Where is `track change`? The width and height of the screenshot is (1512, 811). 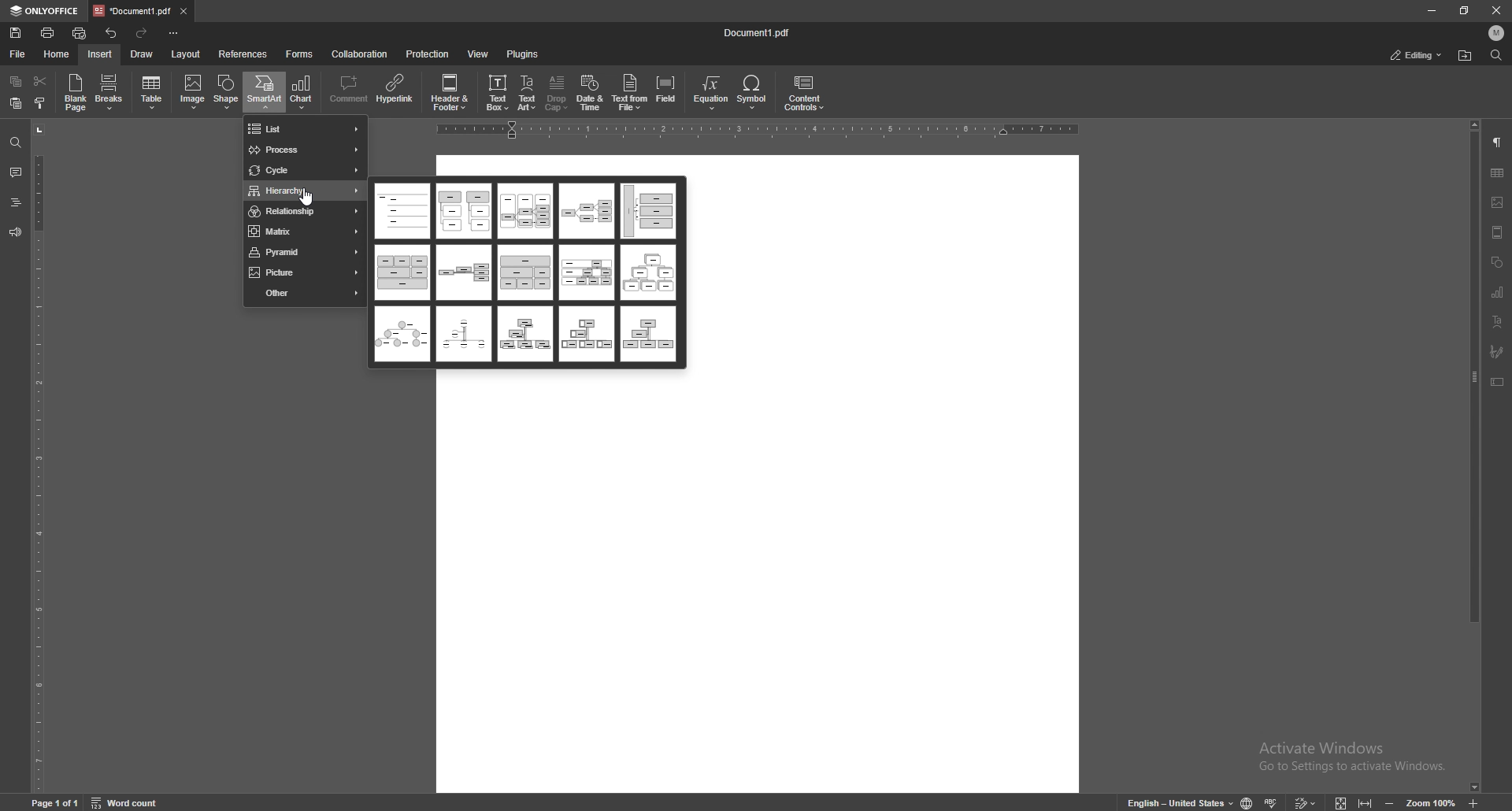 track change is located at coordinates (1304, 802).